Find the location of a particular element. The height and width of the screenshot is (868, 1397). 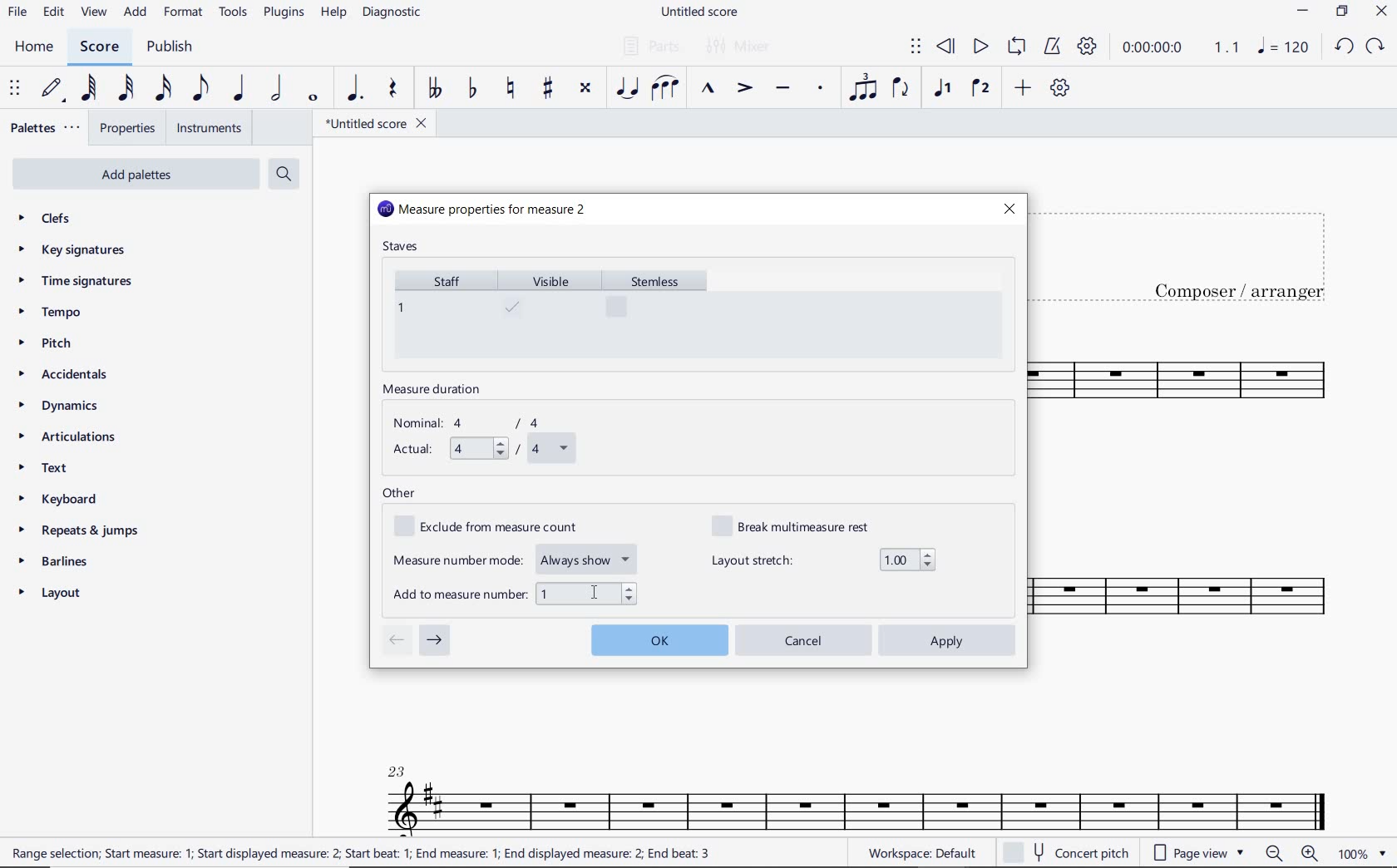

ok is located at coordinates (659, 638).